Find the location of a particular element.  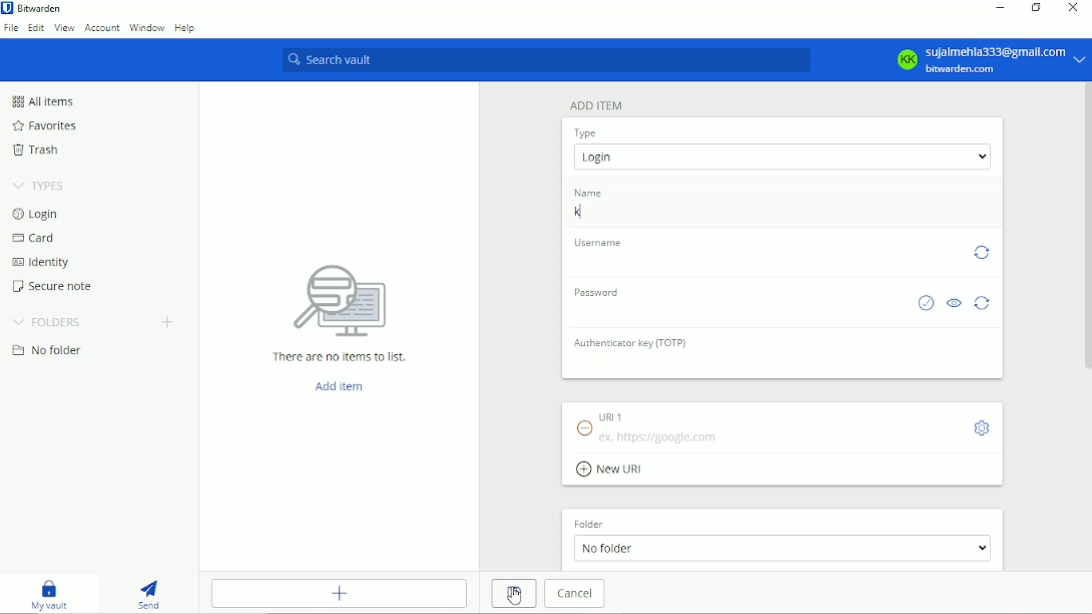

bitwarden logo is located at coordinates (7, 8).